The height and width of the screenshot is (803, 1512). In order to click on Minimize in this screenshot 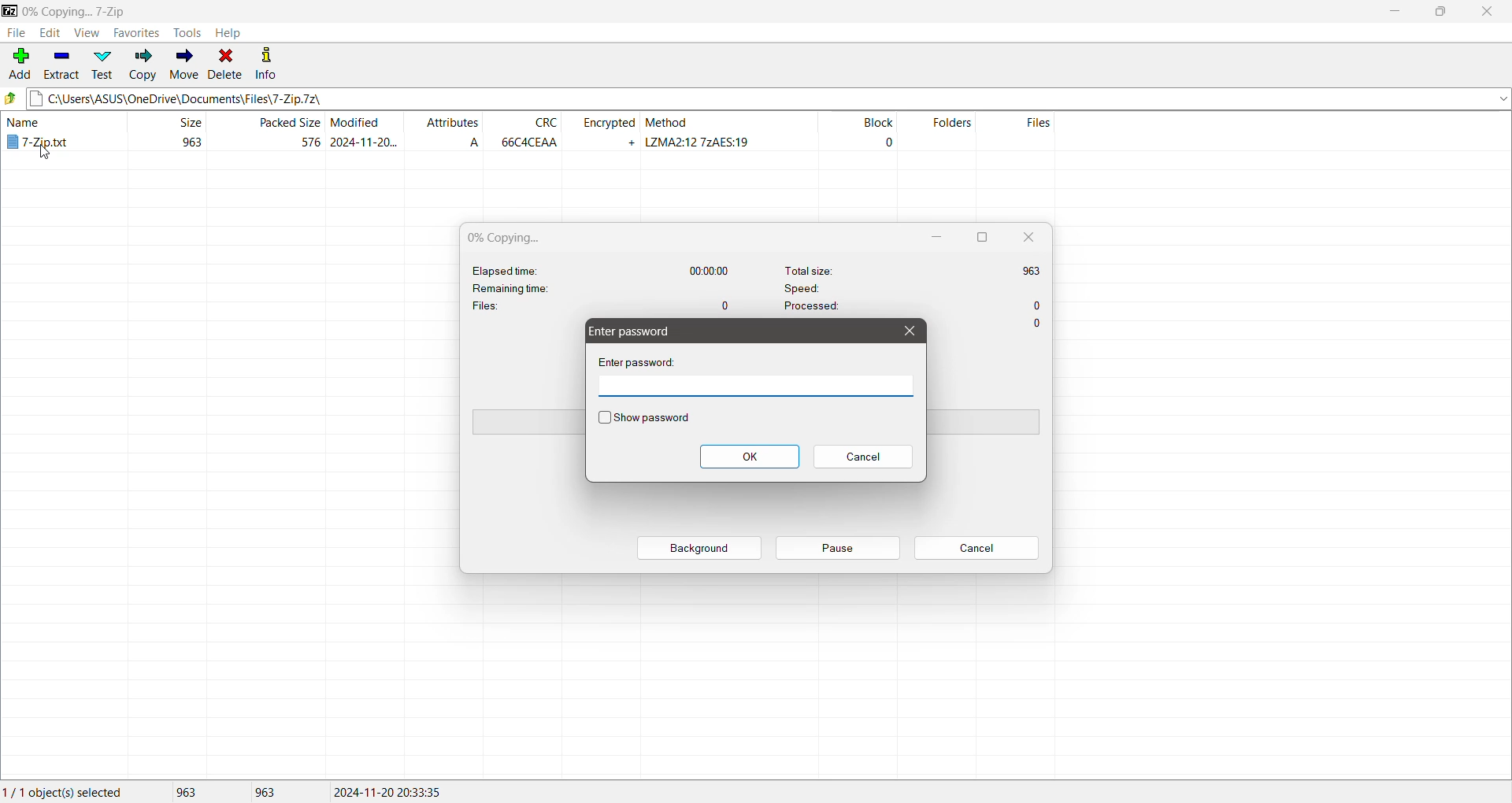, I will do `click(1393, 12)`.